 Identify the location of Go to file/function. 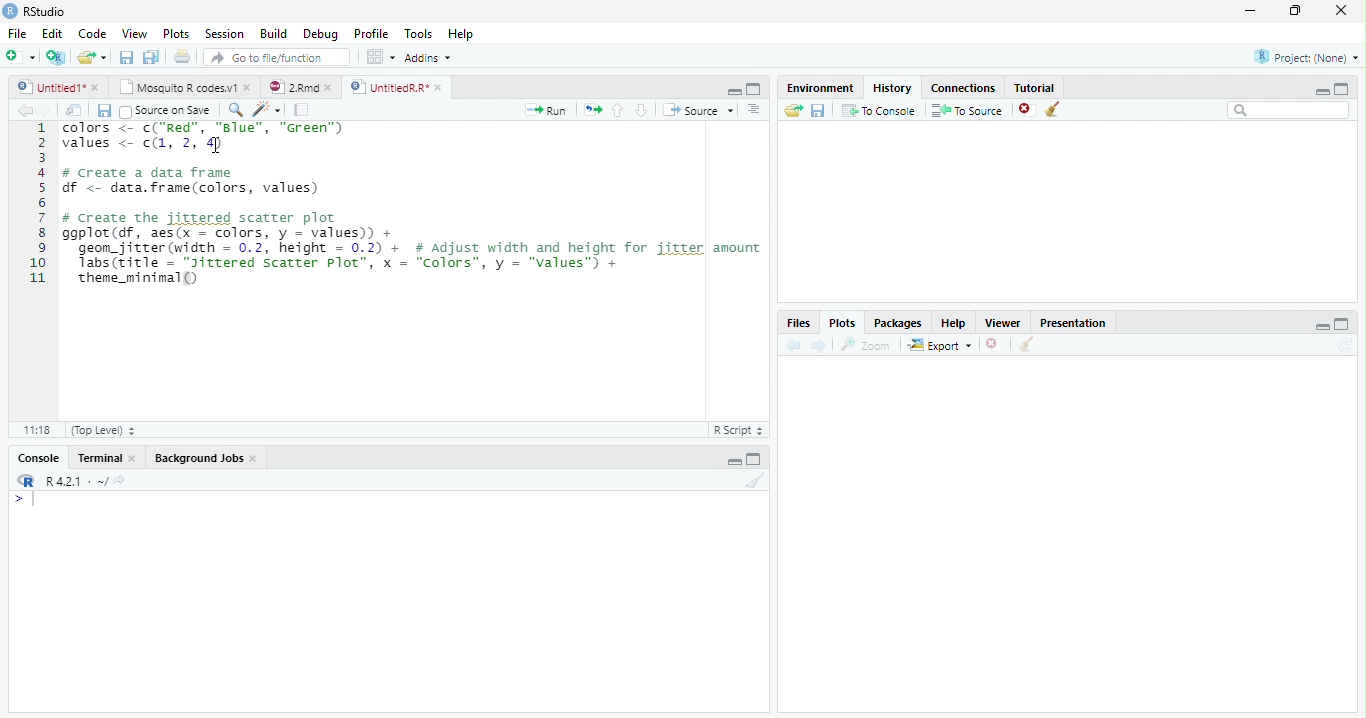
(277, 57).